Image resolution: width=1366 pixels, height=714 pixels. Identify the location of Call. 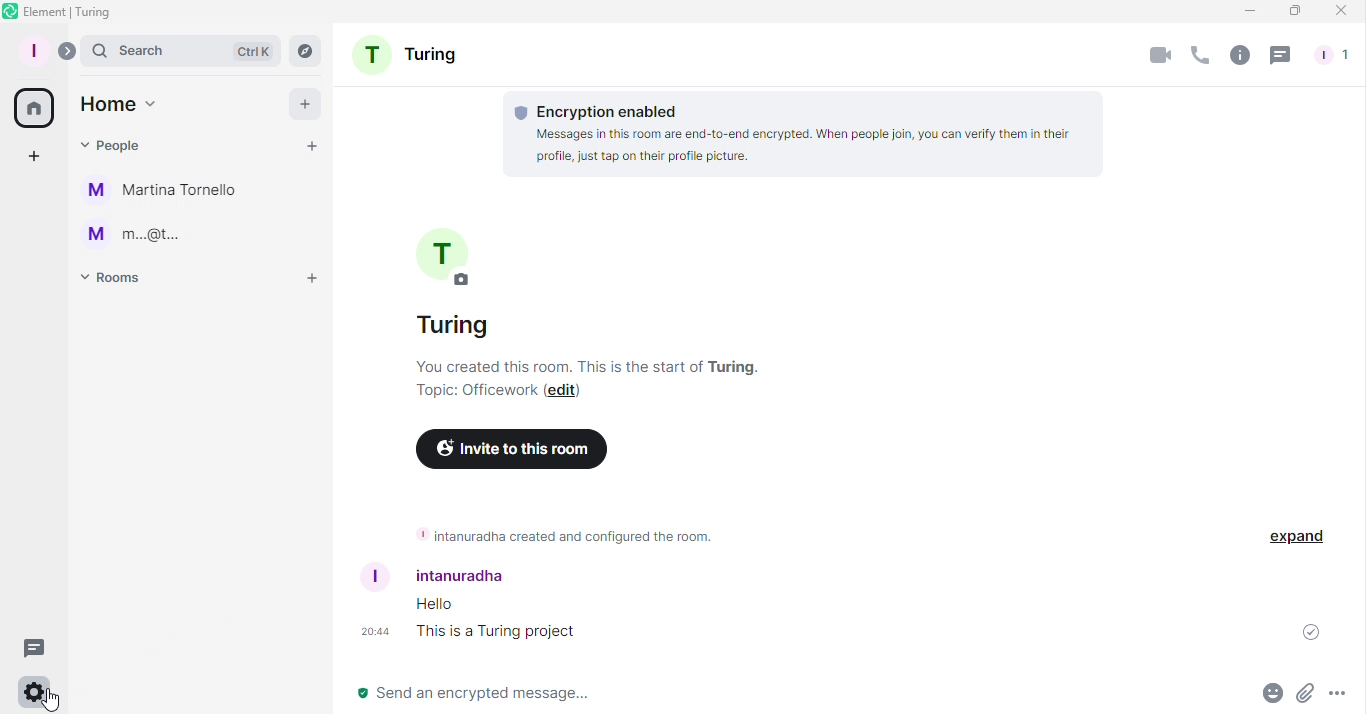
(1202, 58).